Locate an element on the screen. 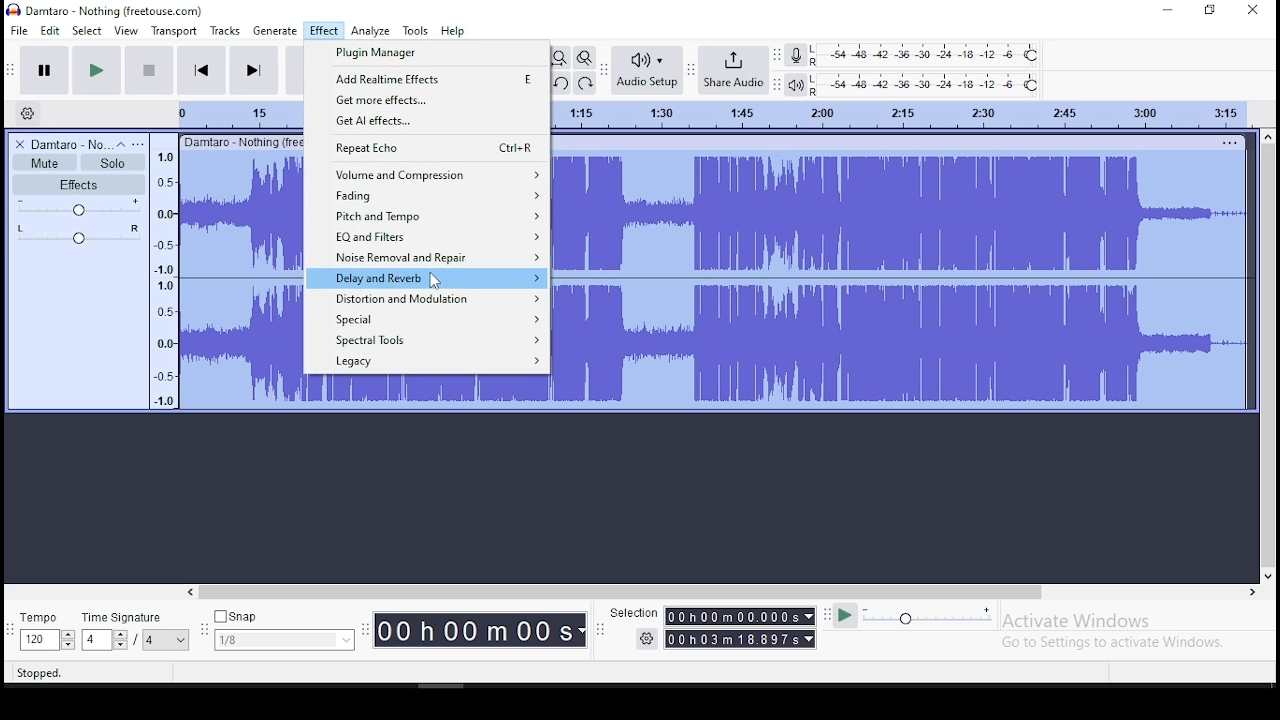 This screenshot has width=1280, height=720. add realtime effects is located at coordinates (425, 77).